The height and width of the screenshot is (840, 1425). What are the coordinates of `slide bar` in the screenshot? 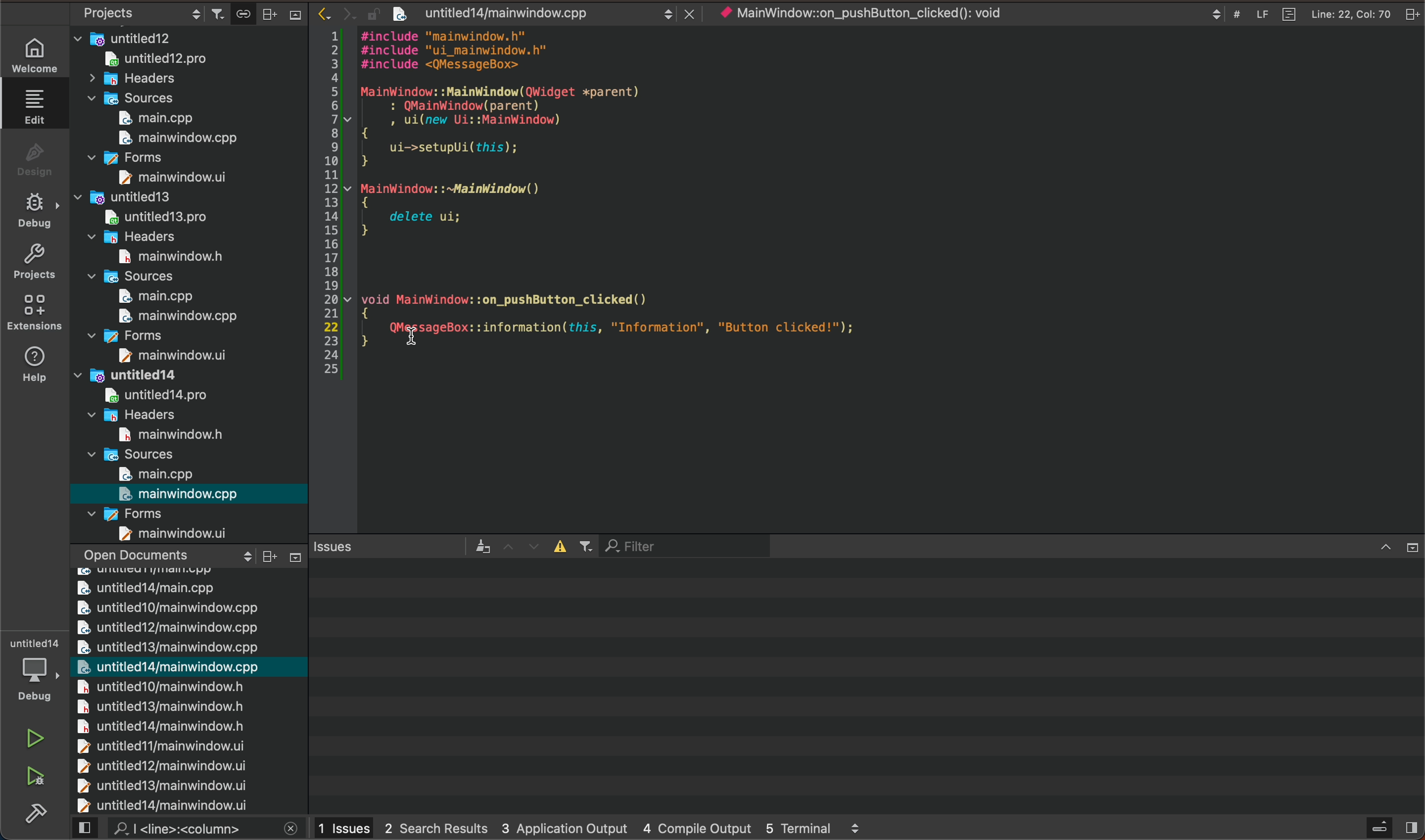 It's located at (283, 13).